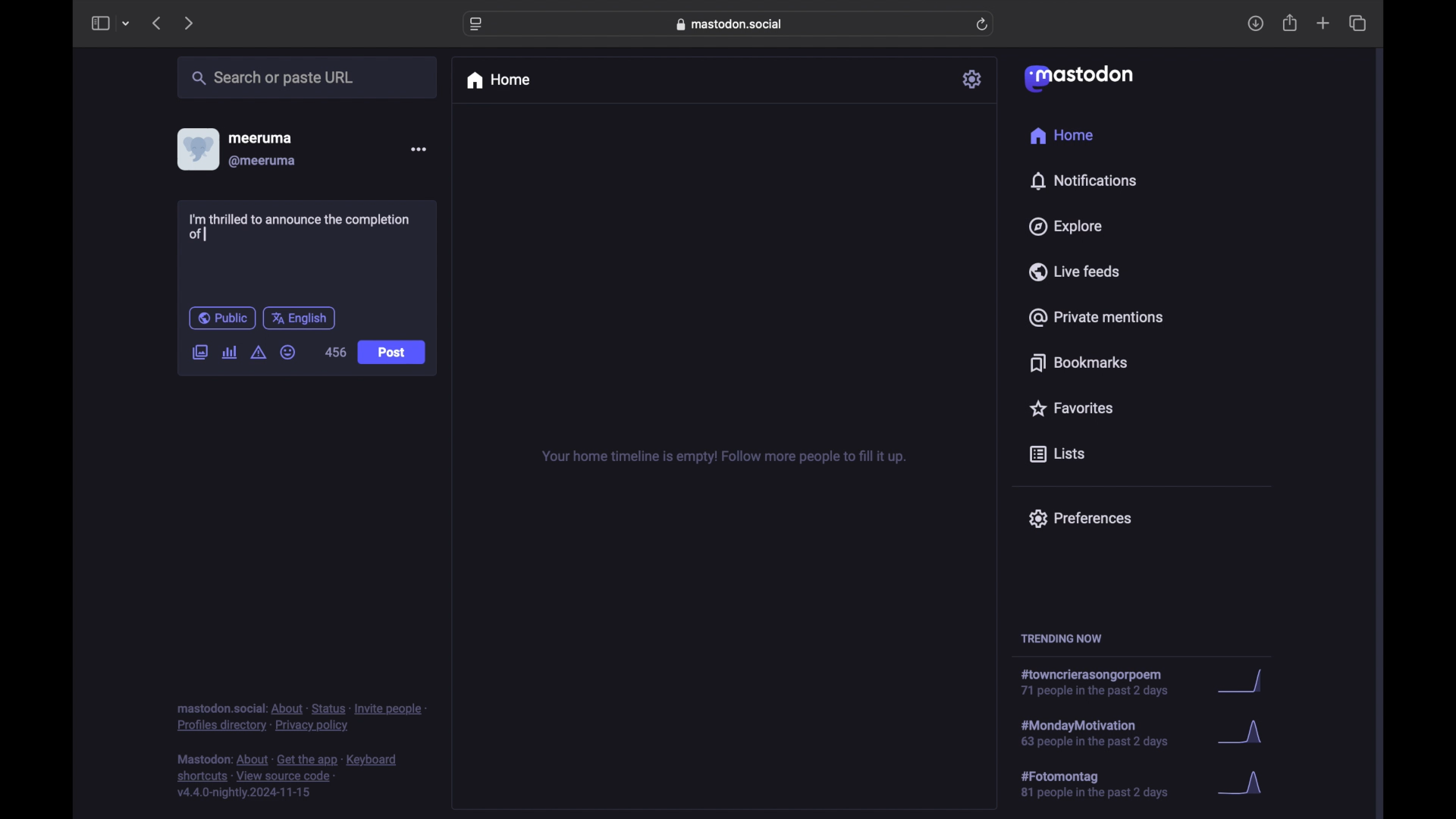 This screenshot has width=1456, height=819. What do you see at coordinates (730, 24) in the screenshot?
I see `web address` at bounding box center [730, 24].